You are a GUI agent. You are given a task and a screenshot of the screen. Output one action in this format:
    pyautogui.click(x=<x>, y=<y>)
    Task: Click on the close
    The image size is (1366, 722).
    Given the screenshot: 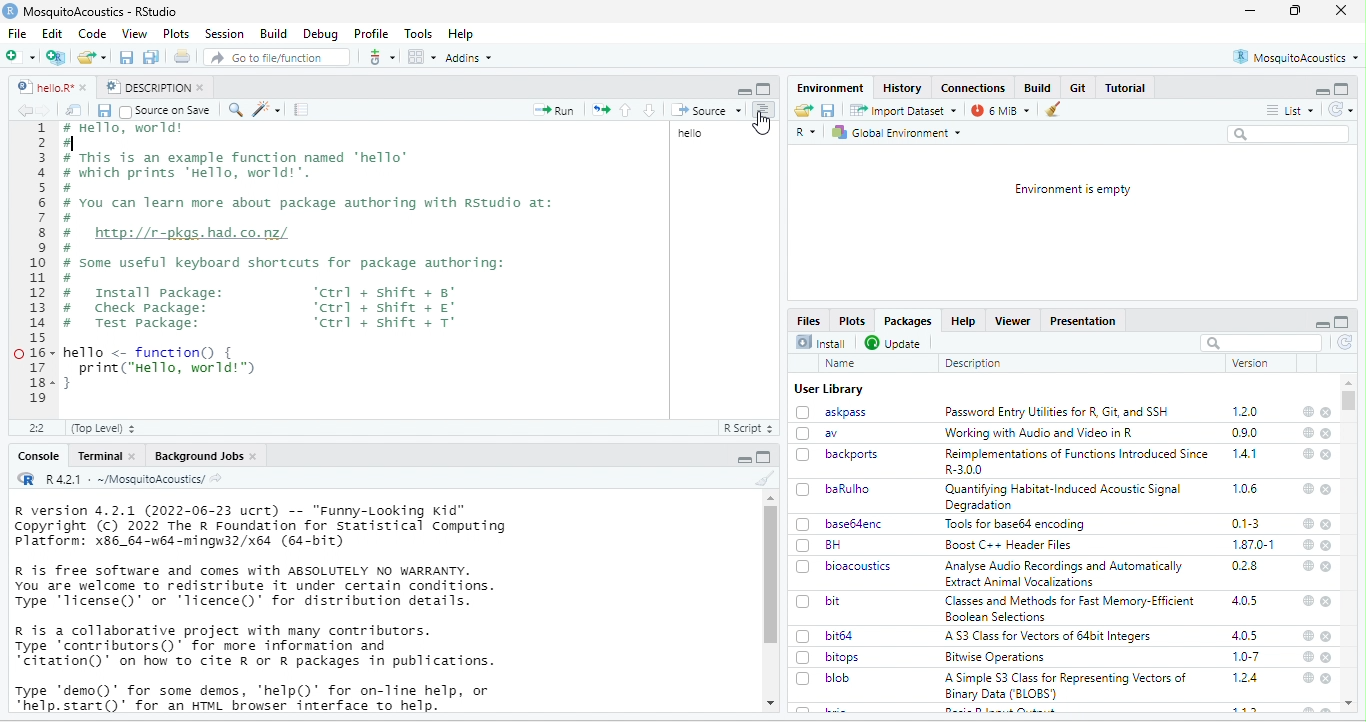 What is the action you would take?
    pyautogui.click(x=1342, y=11)
    